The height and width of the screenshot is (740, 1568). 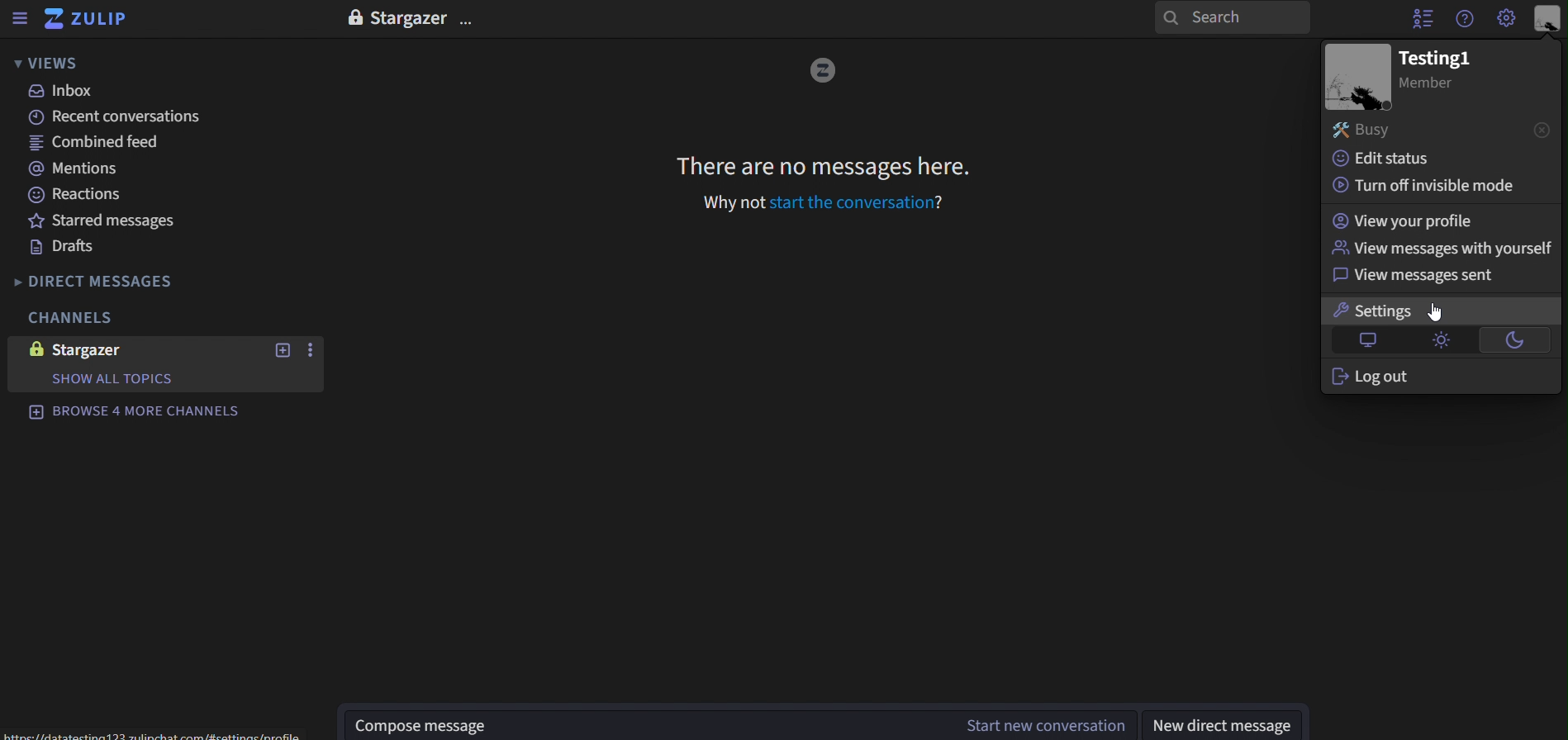 I want to click on light, so click(x=1442, y=339).